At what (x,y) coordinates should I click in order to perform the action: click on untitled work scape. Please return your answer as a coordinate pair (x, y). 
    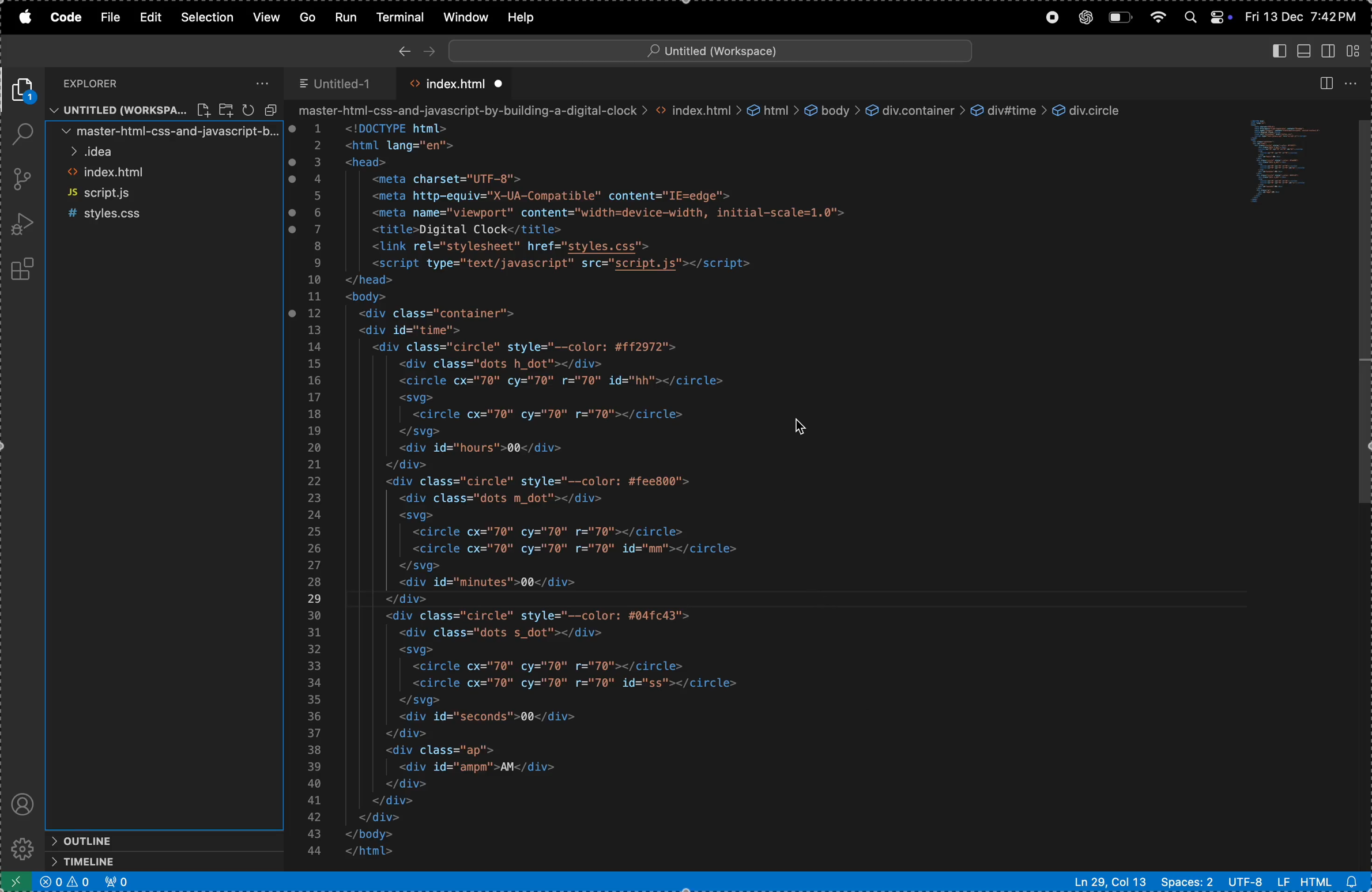
    Looking at the image, I should click on (706, 49).